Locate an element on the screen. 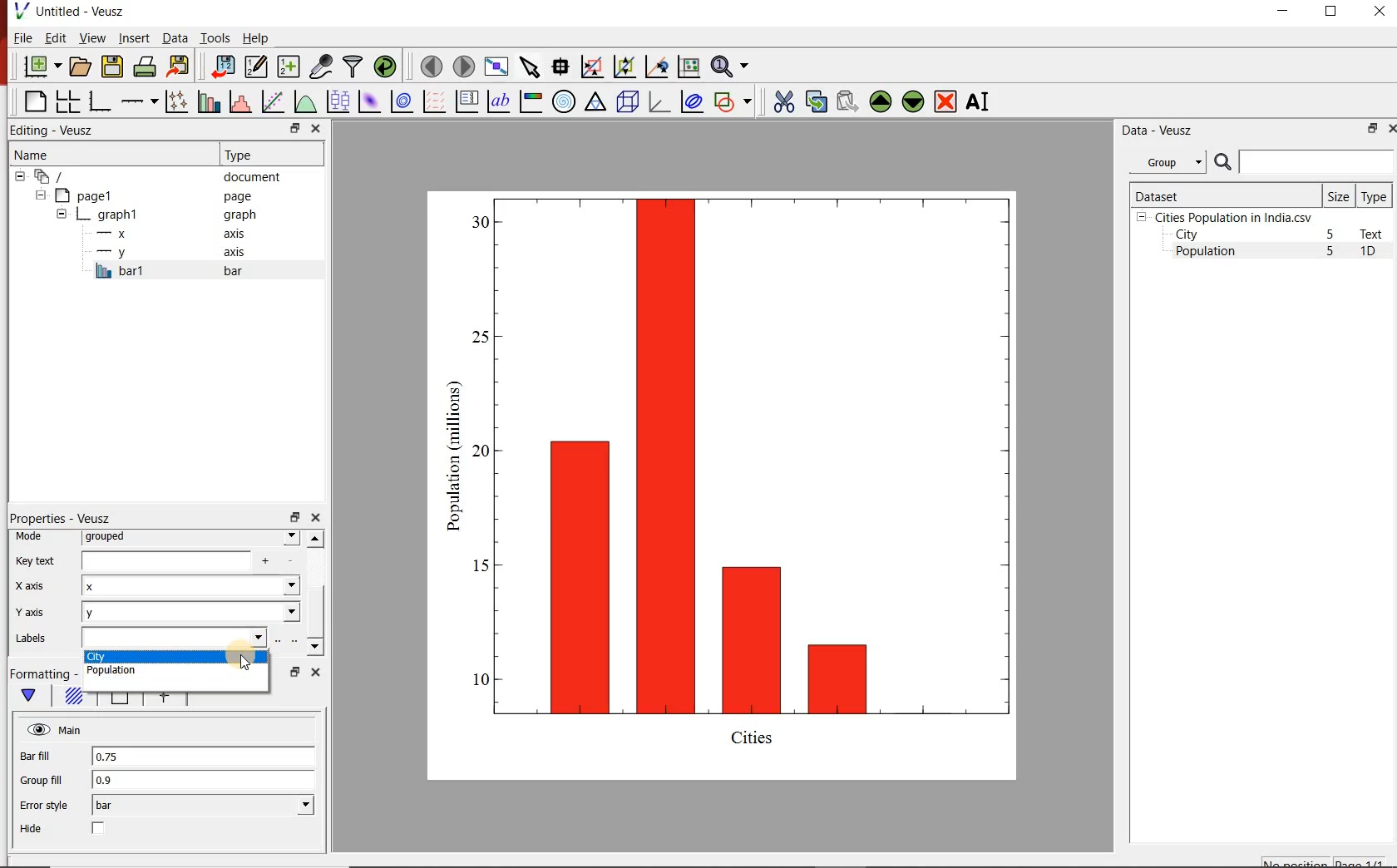 The width and height of the screenshot is (1397, 868). Cities Population in India.csv is located at coordinates (1232, 217).